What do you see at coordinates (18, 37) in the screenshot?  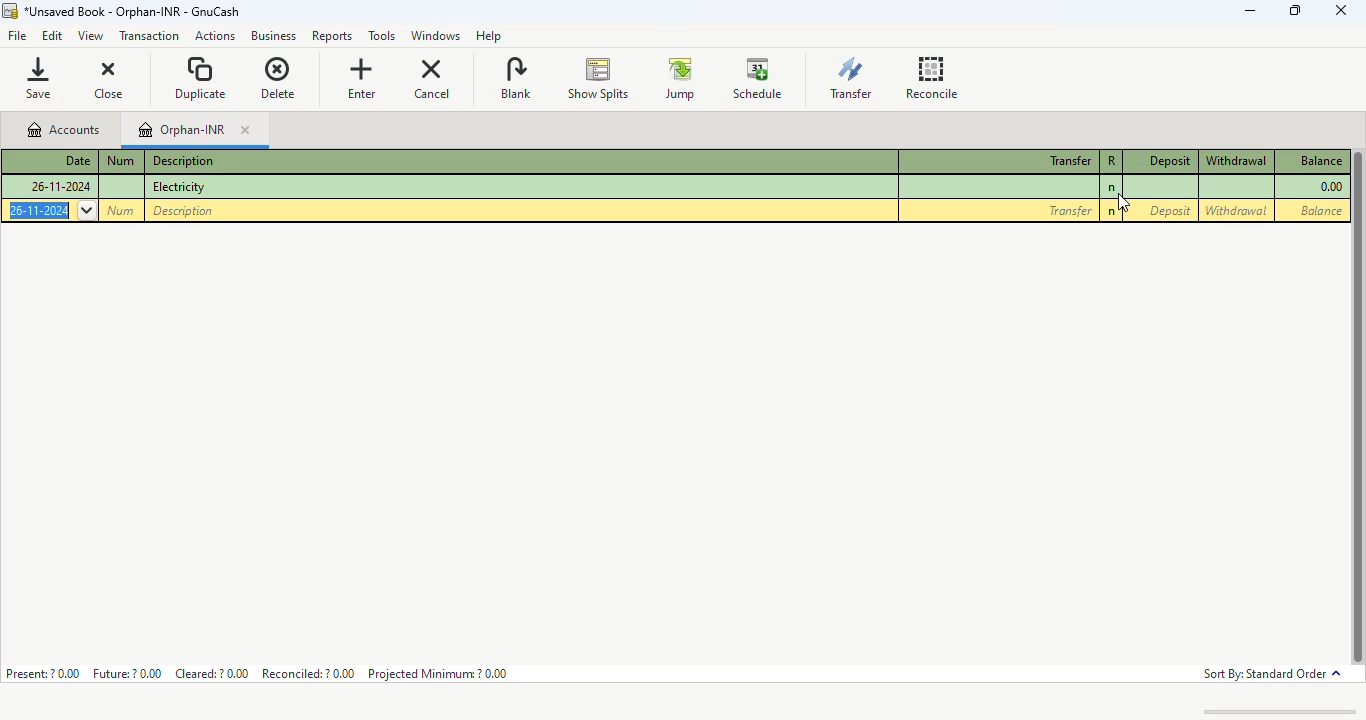 I see `file` at bounding box center [18, 37].